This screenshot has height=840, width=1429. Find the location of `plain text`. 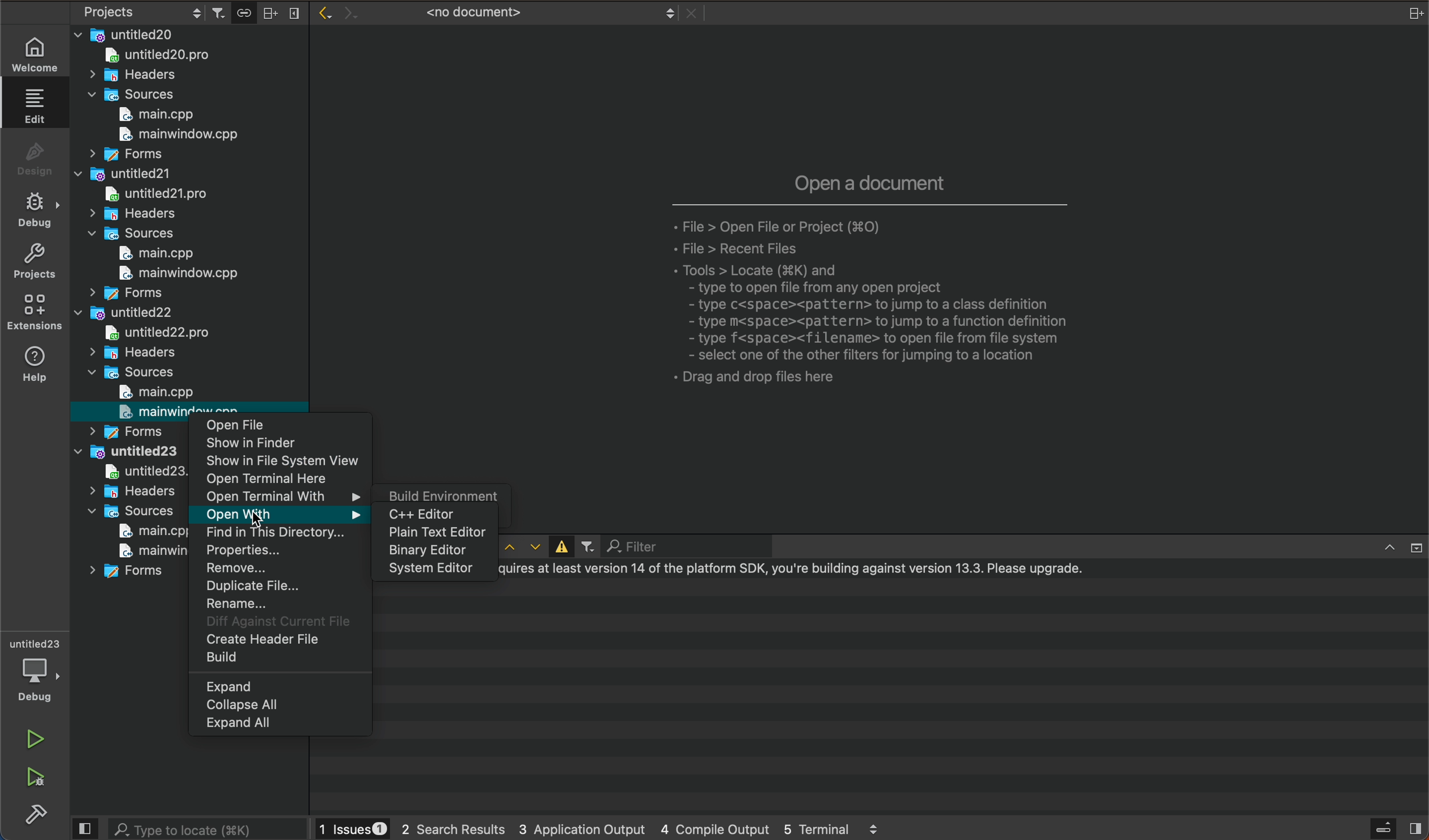

plain text is located at coordinates (433, 533).